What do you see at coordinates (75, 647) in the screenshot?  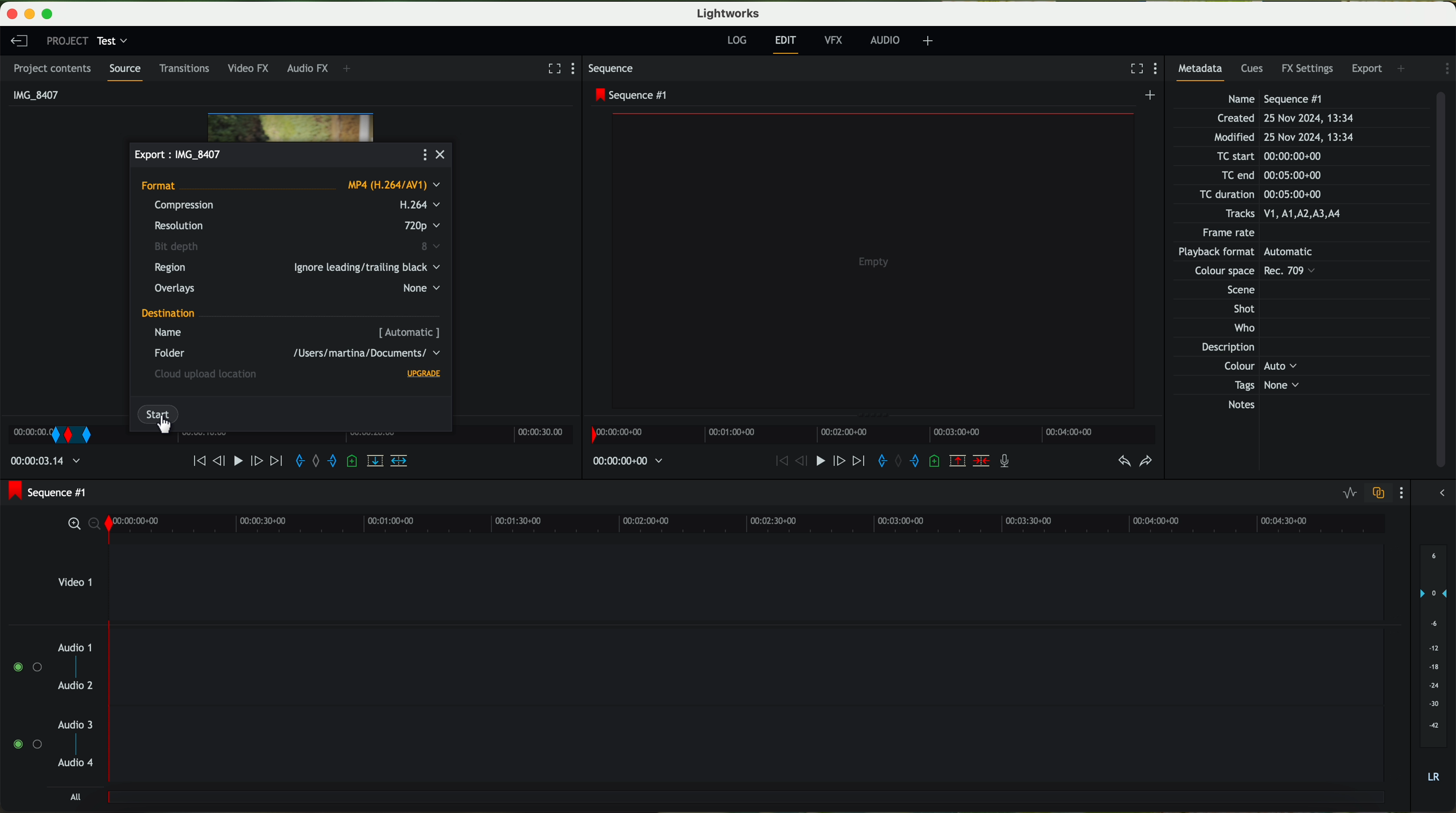 I see `audio 1` at bounding box center [75, 647].